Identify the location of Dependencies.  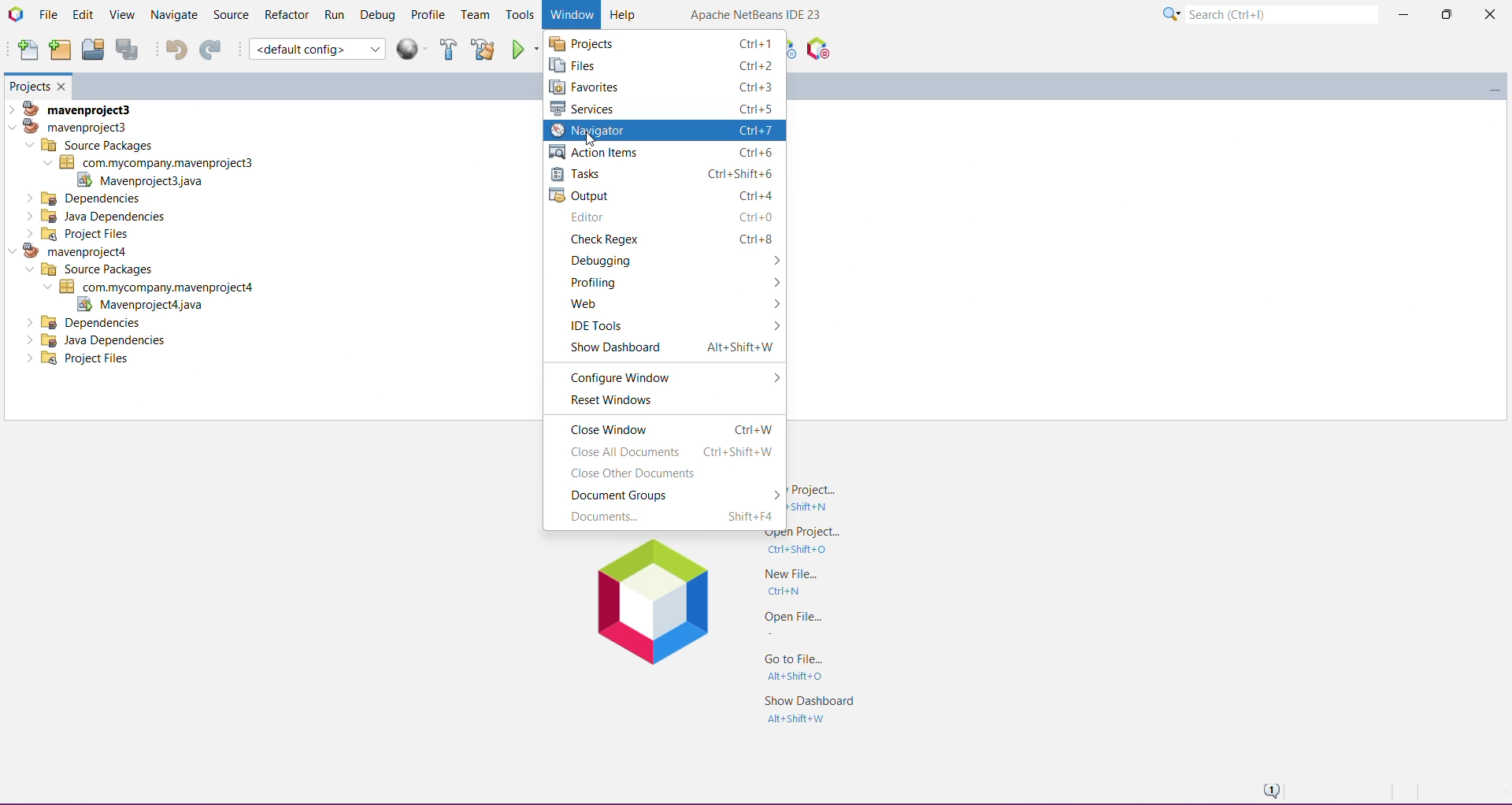
(86, 198).